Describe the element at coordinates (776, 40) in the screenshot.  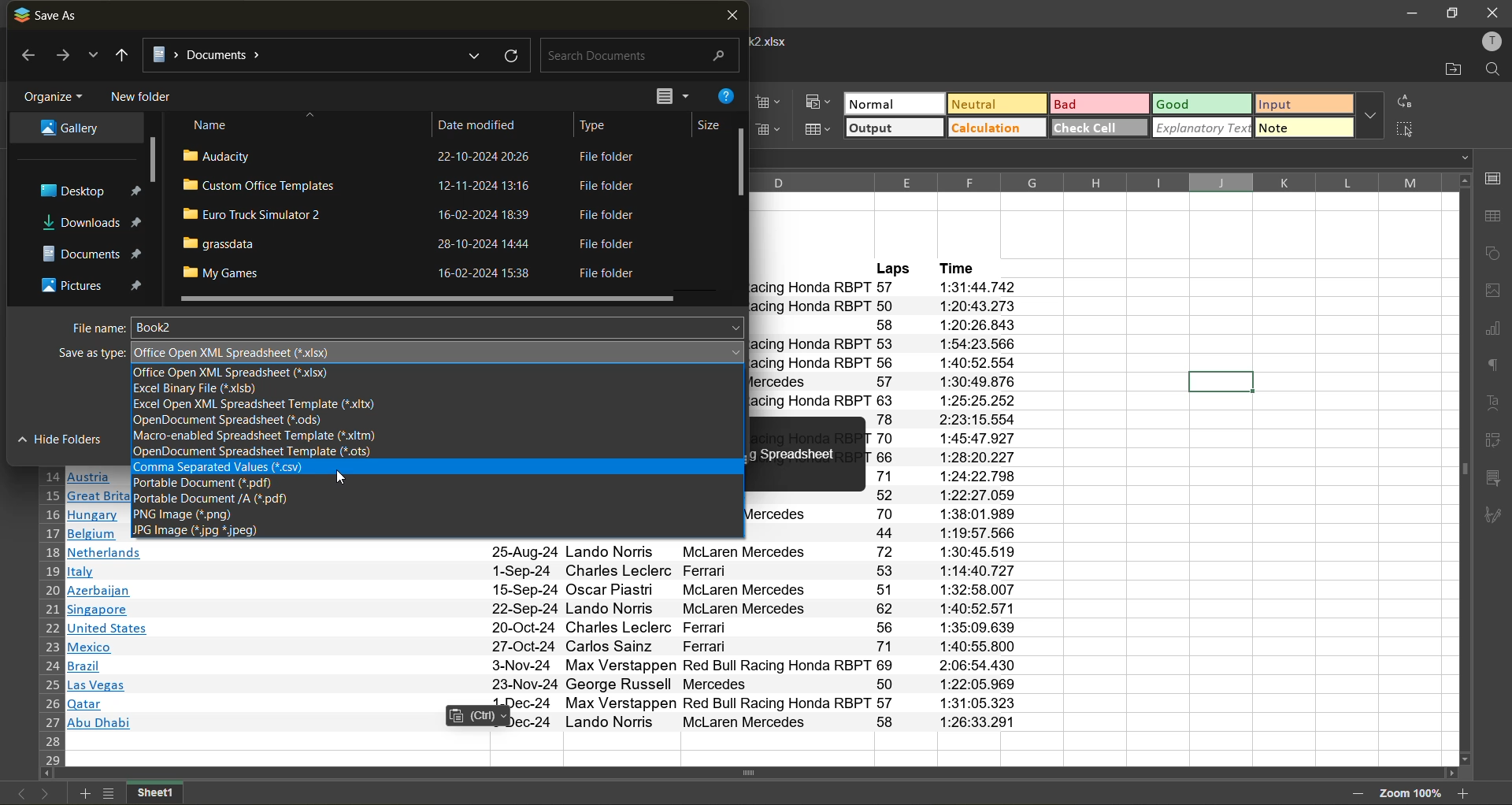
I see `filename` at that location.